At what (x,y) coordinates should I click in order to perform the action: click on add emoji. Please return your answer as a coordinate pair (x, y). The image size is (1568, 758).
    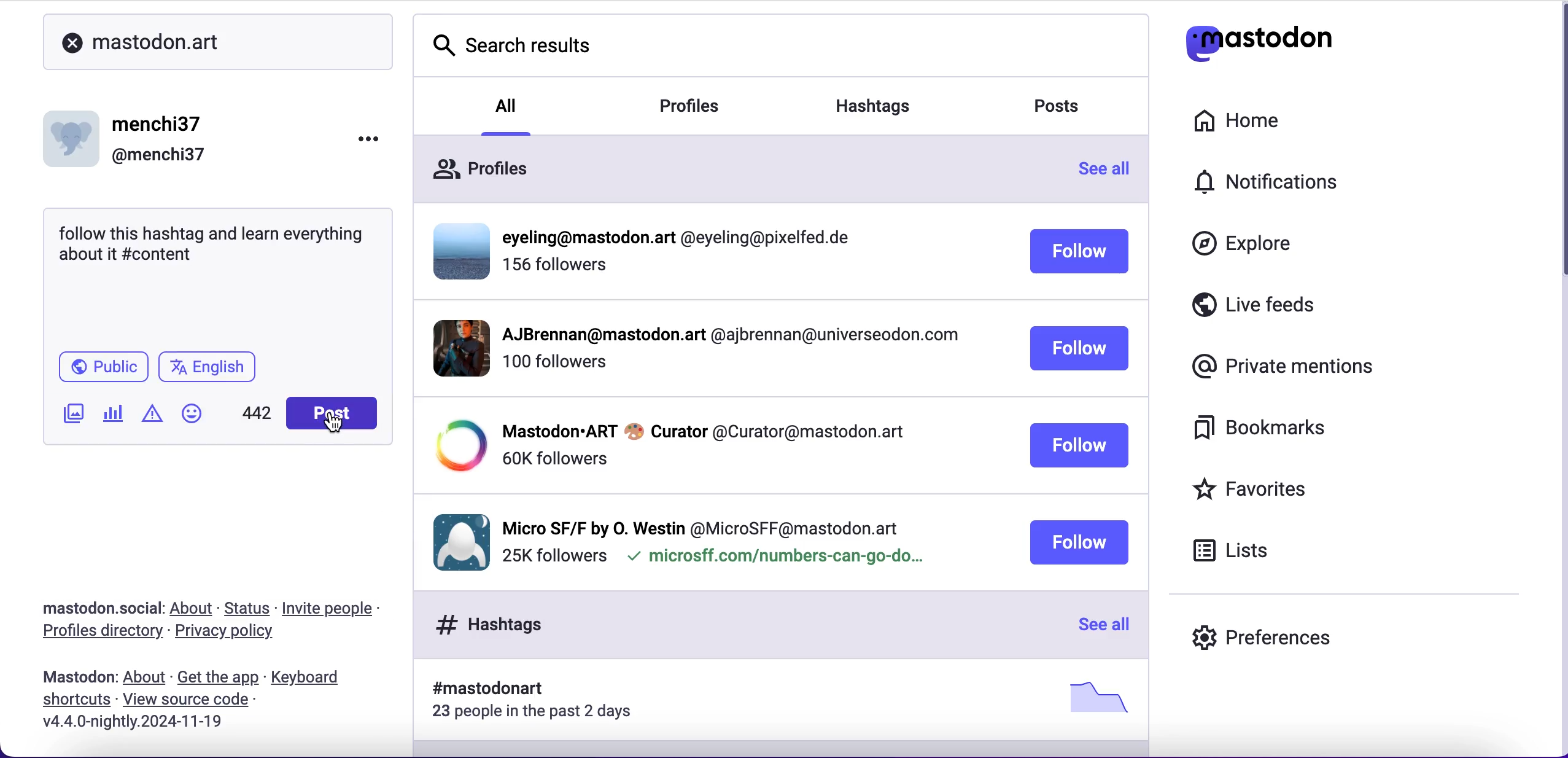
    Looking at the image, I should click on (192, 419).